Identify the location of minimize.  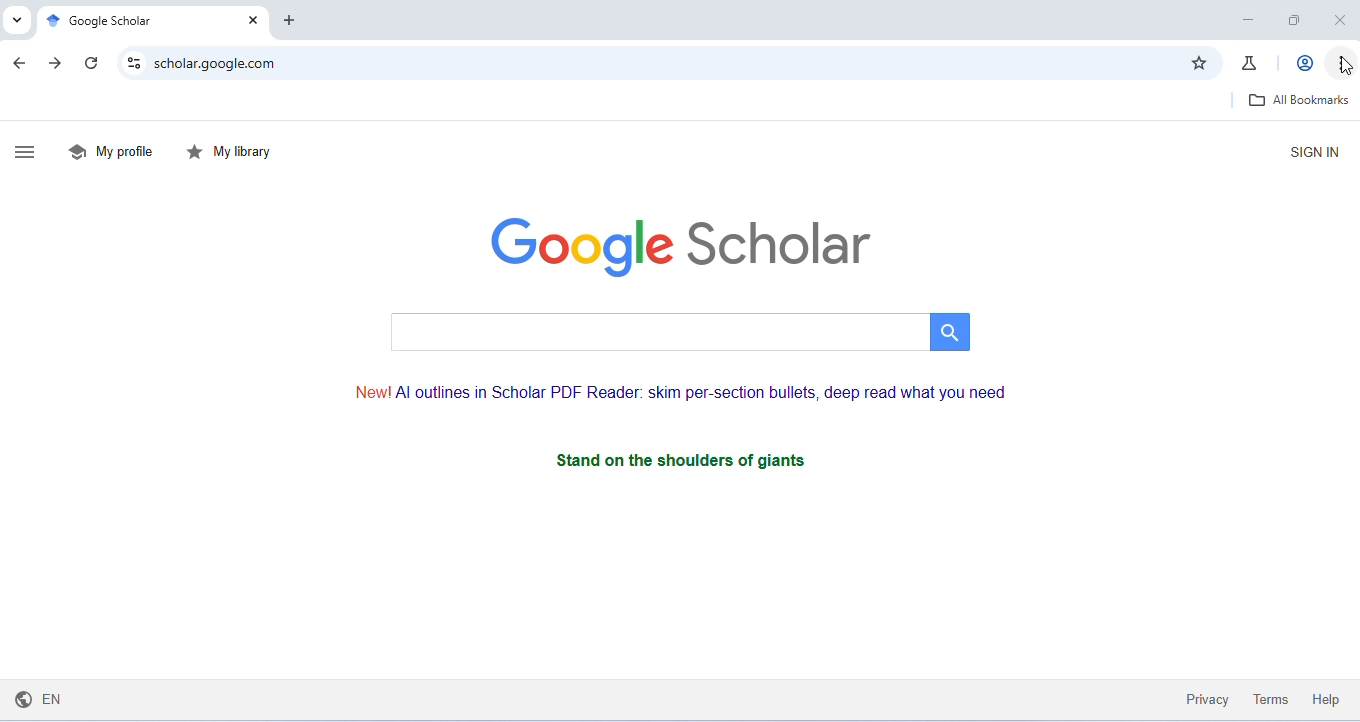
(1248, 19).